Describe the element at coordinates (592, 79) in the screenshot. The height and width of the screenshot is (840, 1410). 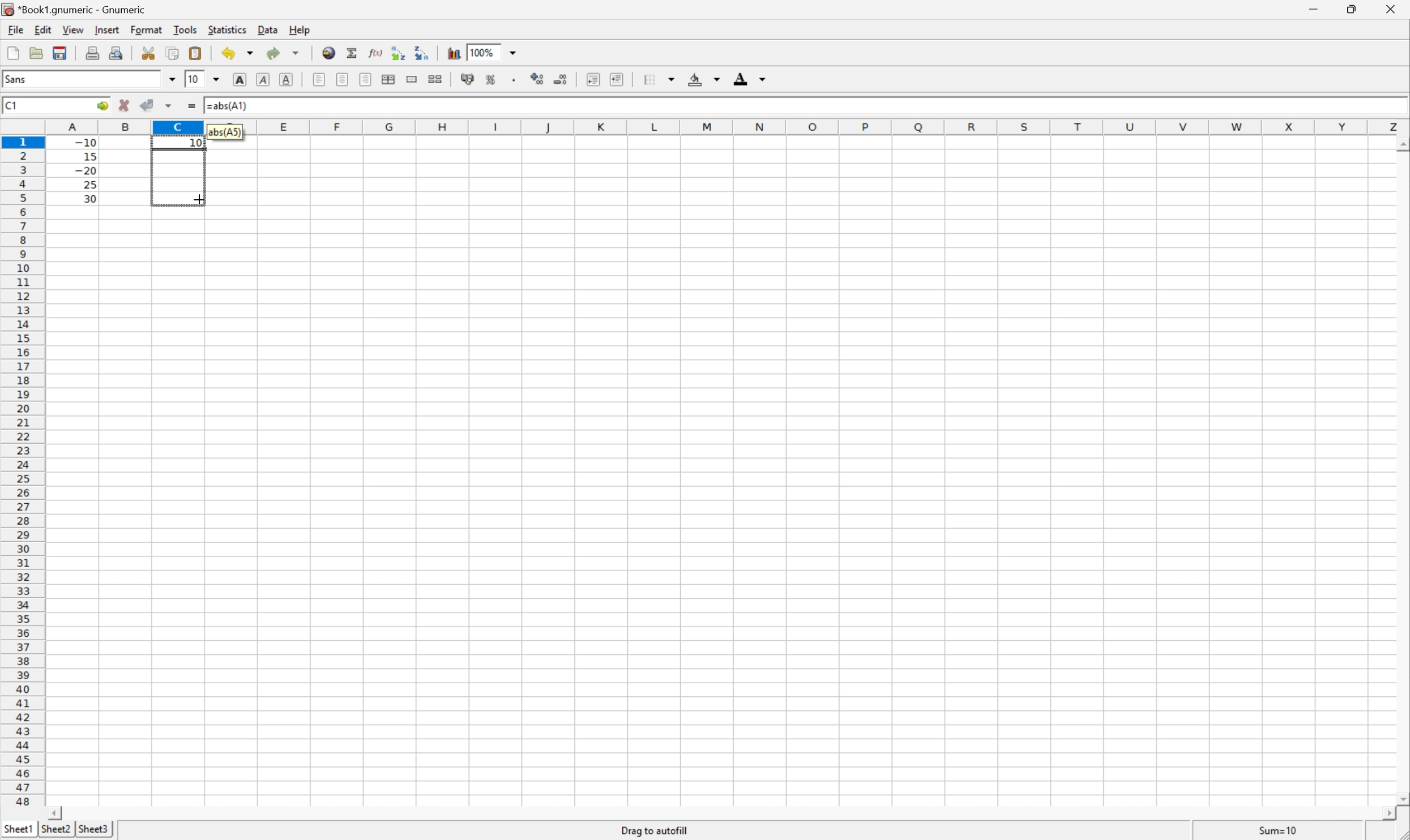
I see `decrease Indent, and align the content to the left` at that location.